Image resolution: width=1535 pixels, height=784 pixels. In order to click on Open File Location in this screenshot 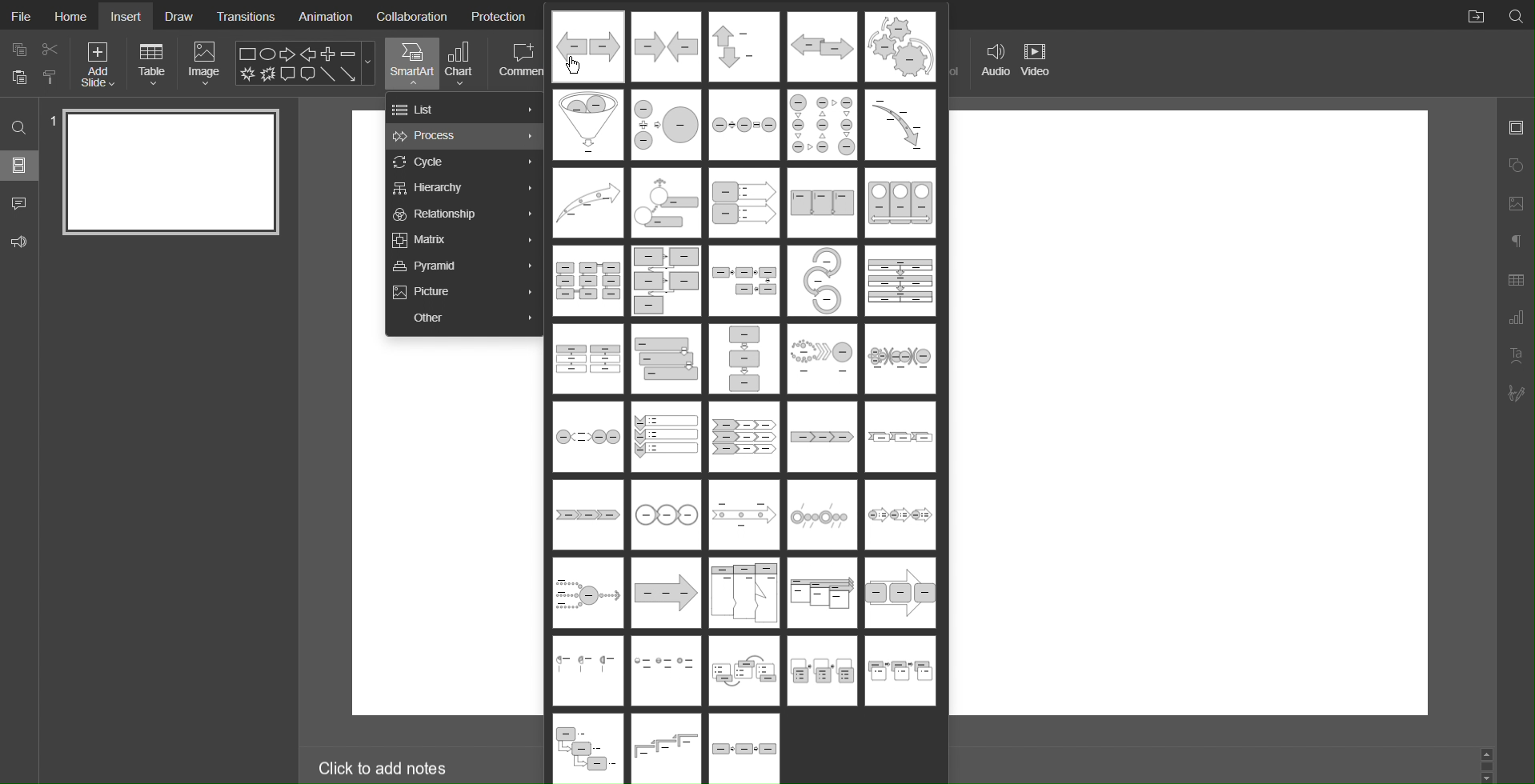, I will do `click(1472, 14)`.